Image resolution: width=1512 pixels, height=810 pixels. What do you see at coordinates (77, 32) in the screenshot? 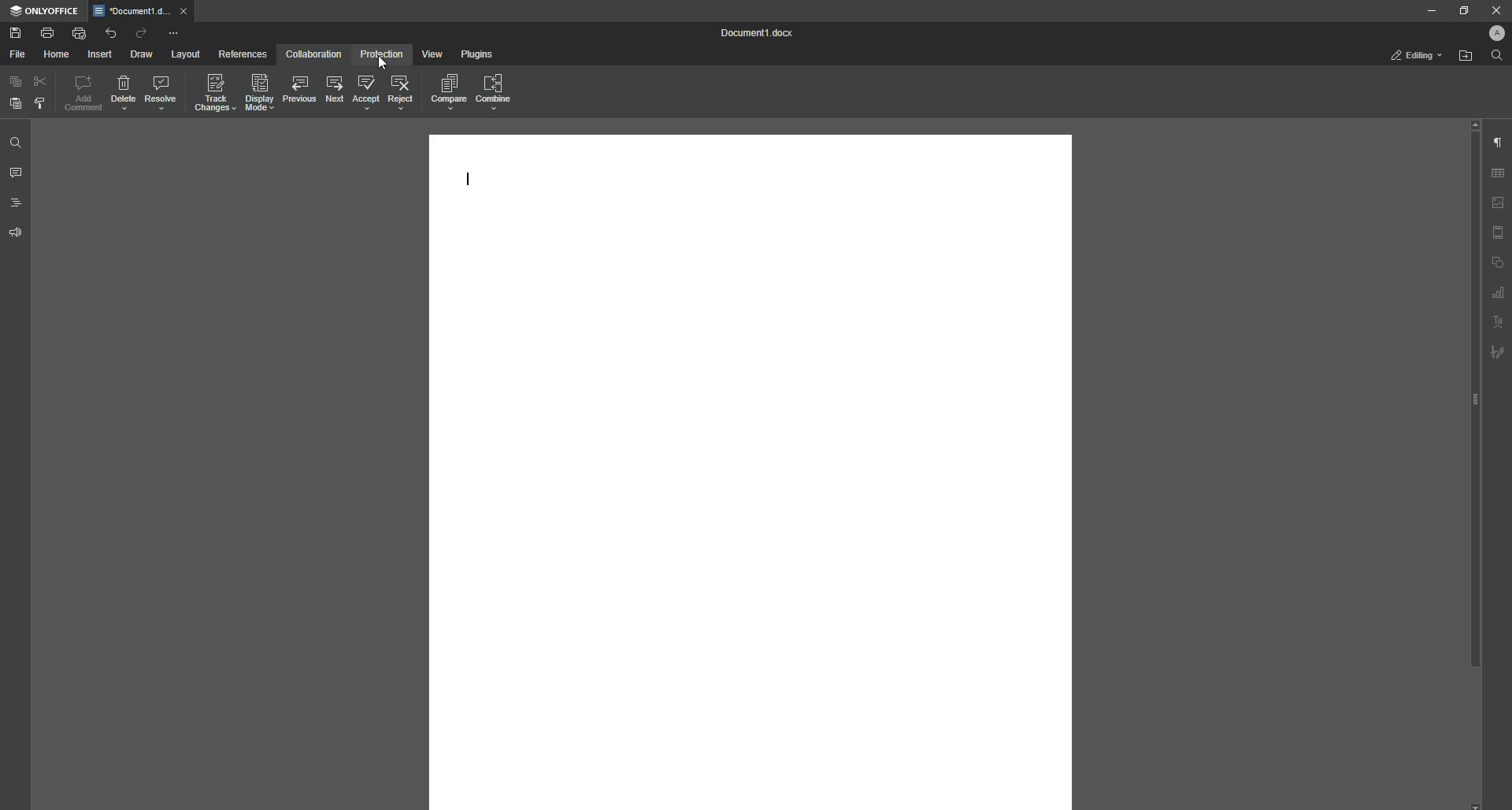
I see `Quick print` at bounding box center [77, 32].